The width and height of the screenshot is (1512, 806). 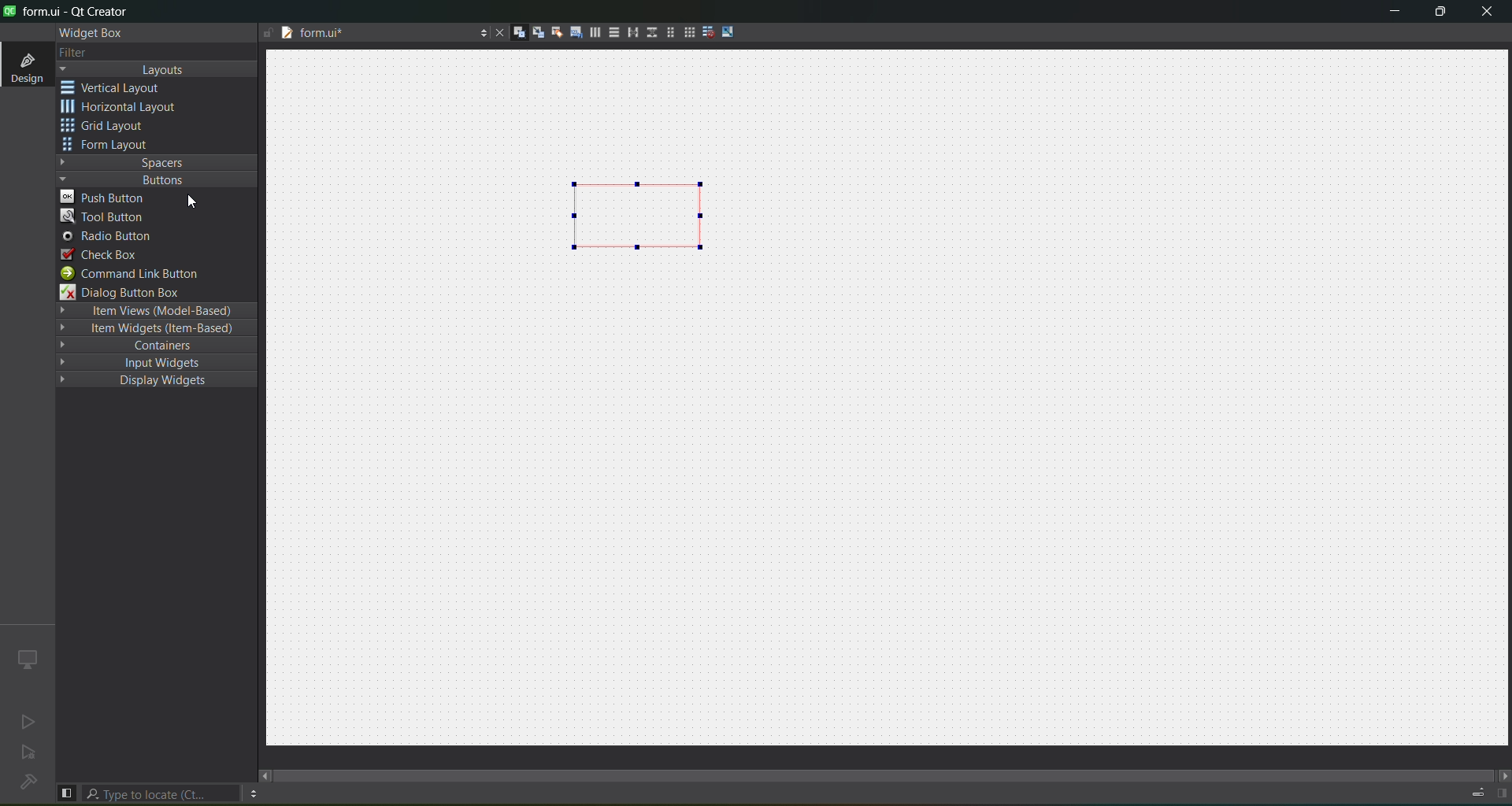 What do you see at coordinates (26, 658) in the screenshot?
I see `icon` at bounding box center [26, 658].